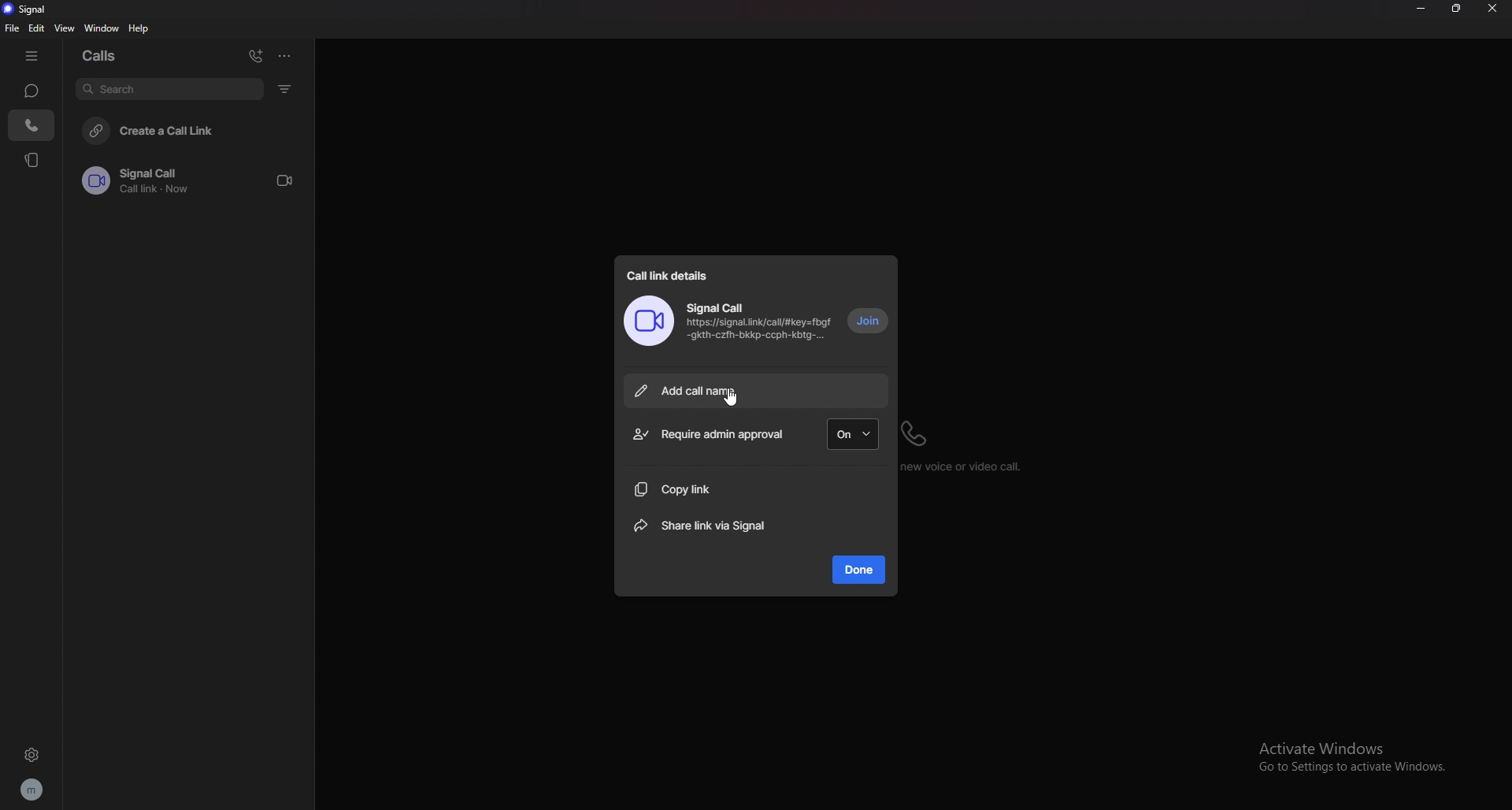  What do you see at coordinates (1456, 9) in the screenshot?
I see `resize` at bounding box center [1456, 9].